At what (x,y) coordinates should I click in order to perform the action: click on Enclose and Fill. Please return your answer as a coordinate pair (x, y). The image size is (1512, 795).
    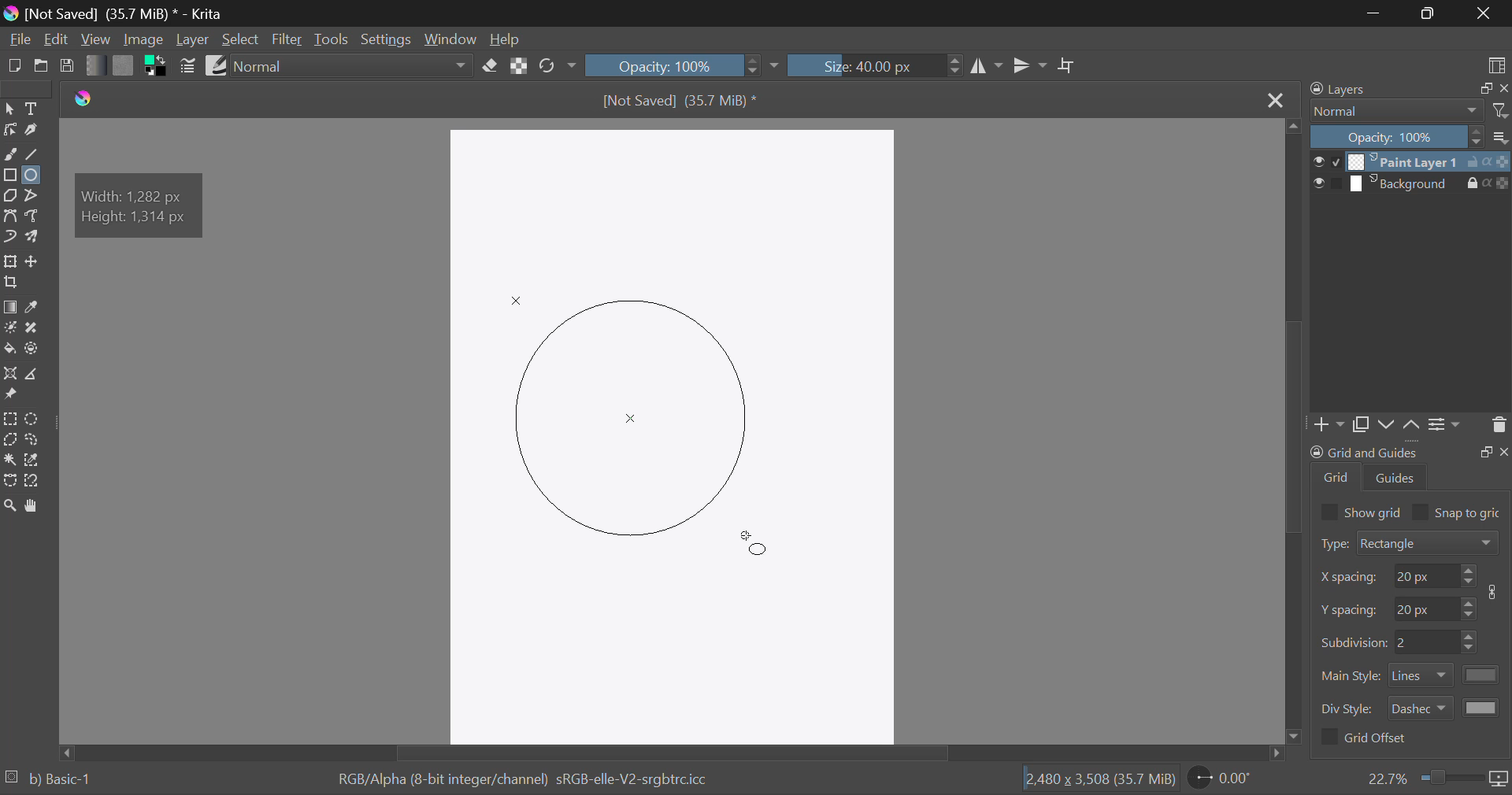
    Looking at the image, I should click on (34, 349).